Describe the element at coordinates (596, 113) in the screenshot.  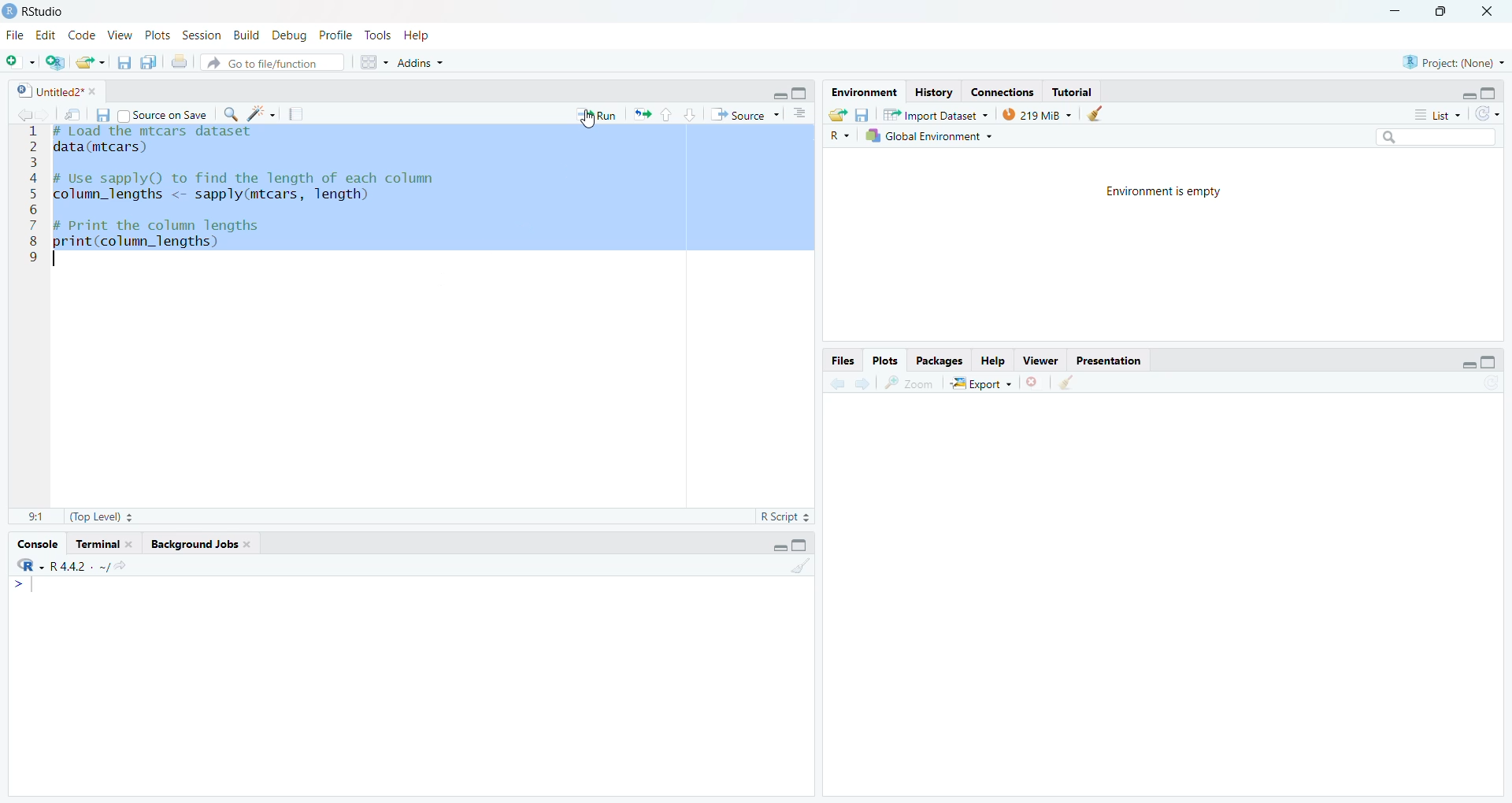
I see `Run current line or section` at that location.